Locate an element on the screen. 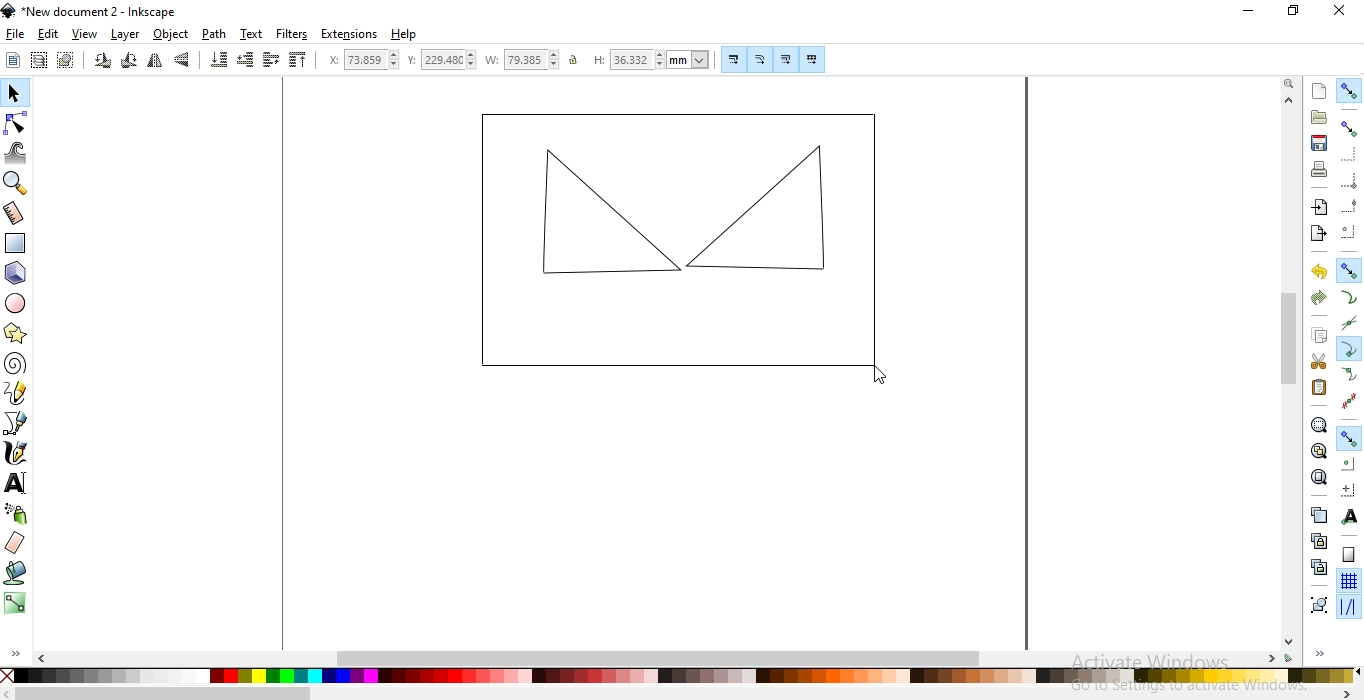 Image resolution: width=1364 pixels, height=700 pixels. import a bitmap is located at coordinates (1319, 207).